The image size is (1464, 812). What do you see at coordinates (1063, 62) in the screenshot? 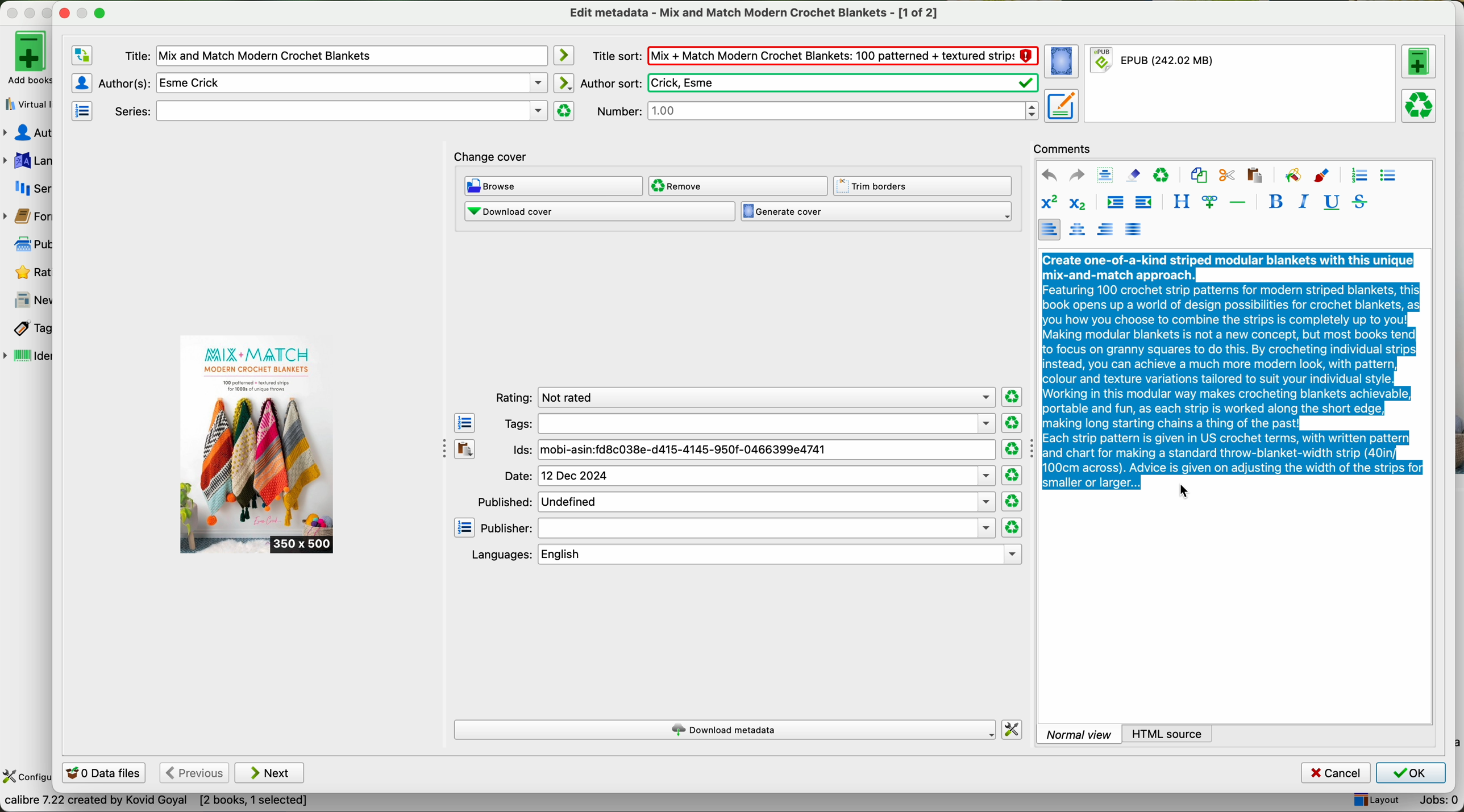
I see `set the cover for the book` at bounding box center [1063, 62].